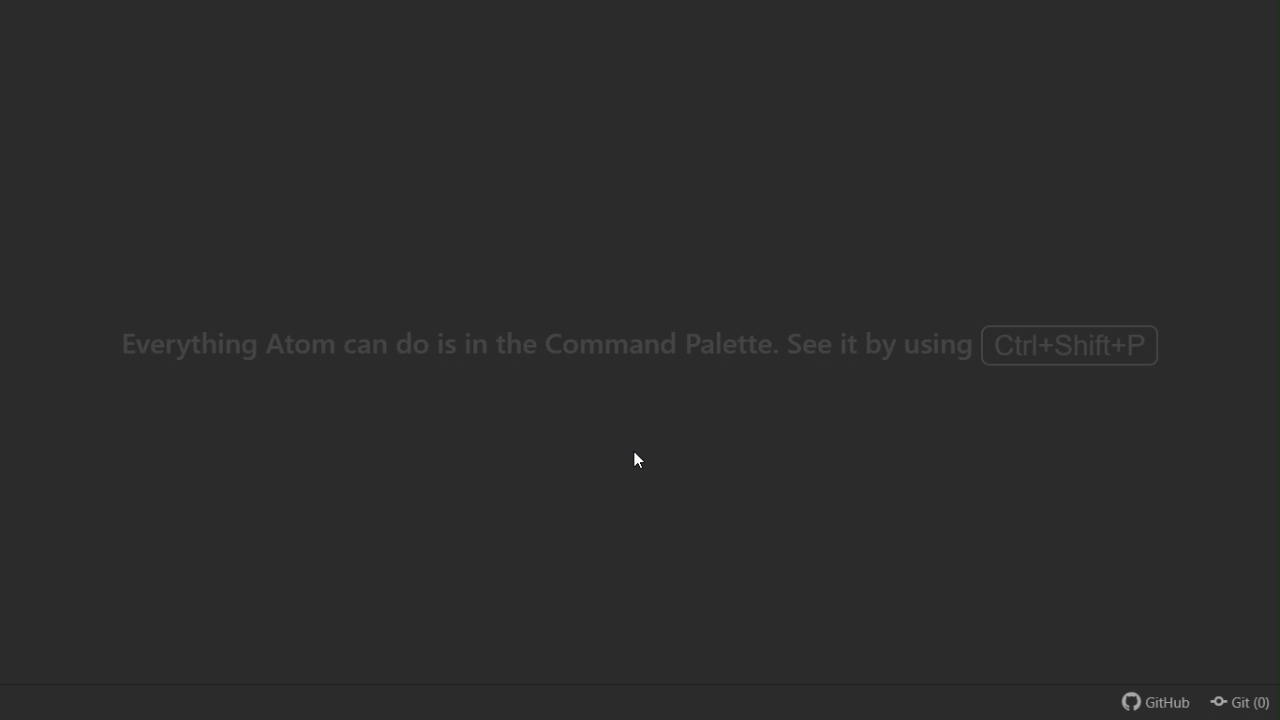 This screenshot has width=1280, height=720. What do you see at coordinates (641, 355) in the screenshot?
I see `Everything Atom can do is in the Command Palette. See it by using Ctrl+Shift+P` at bounding box center [641, 355].